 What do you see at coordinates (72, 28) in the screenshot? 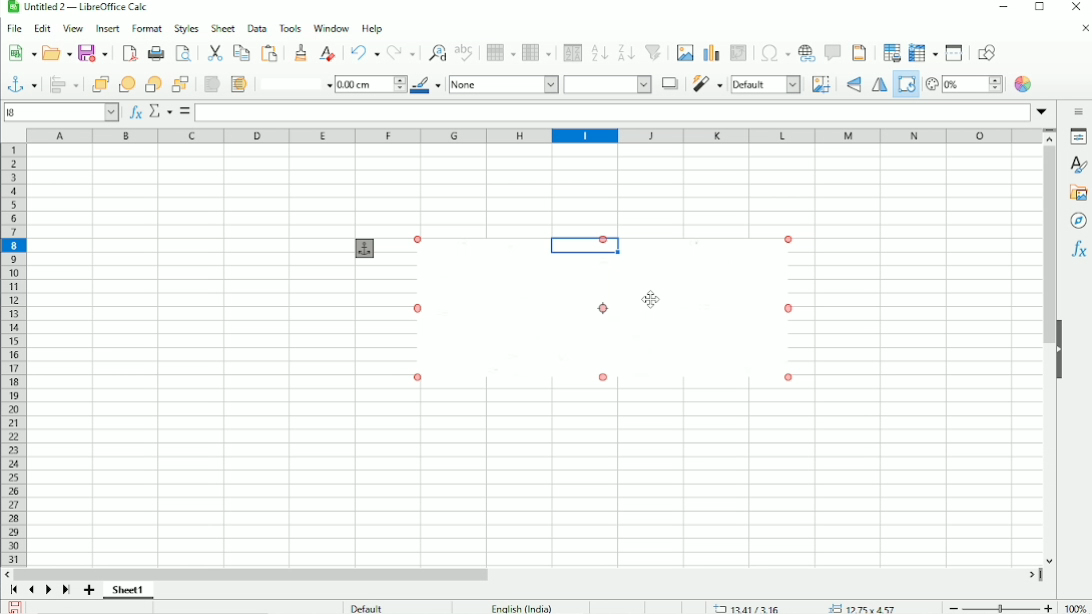
I see `View` at bounding box center [72, 28].